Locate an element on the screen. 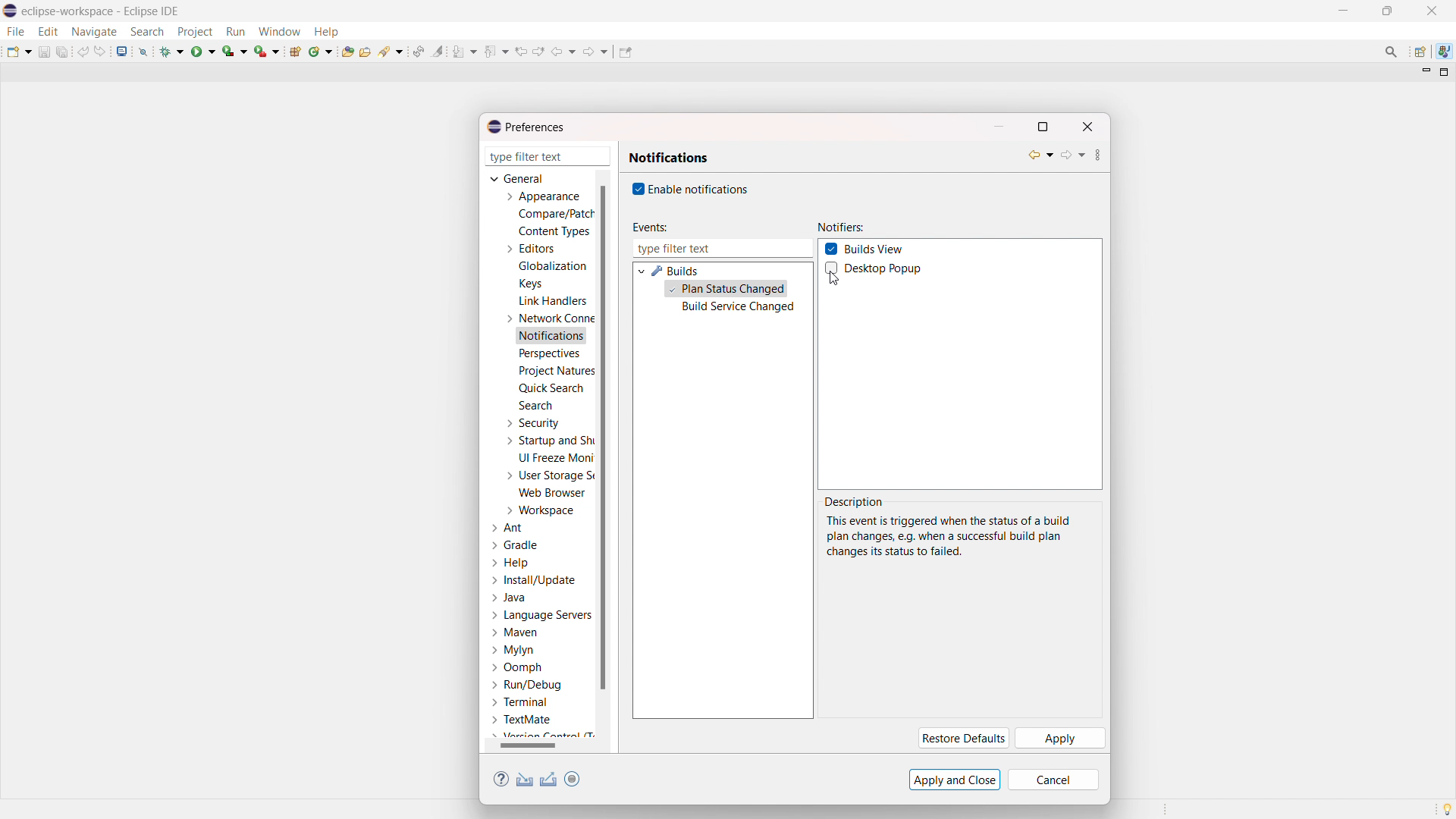 The image size is (1456, 819). skip all breakpoints is located at coordinates (143, 51).